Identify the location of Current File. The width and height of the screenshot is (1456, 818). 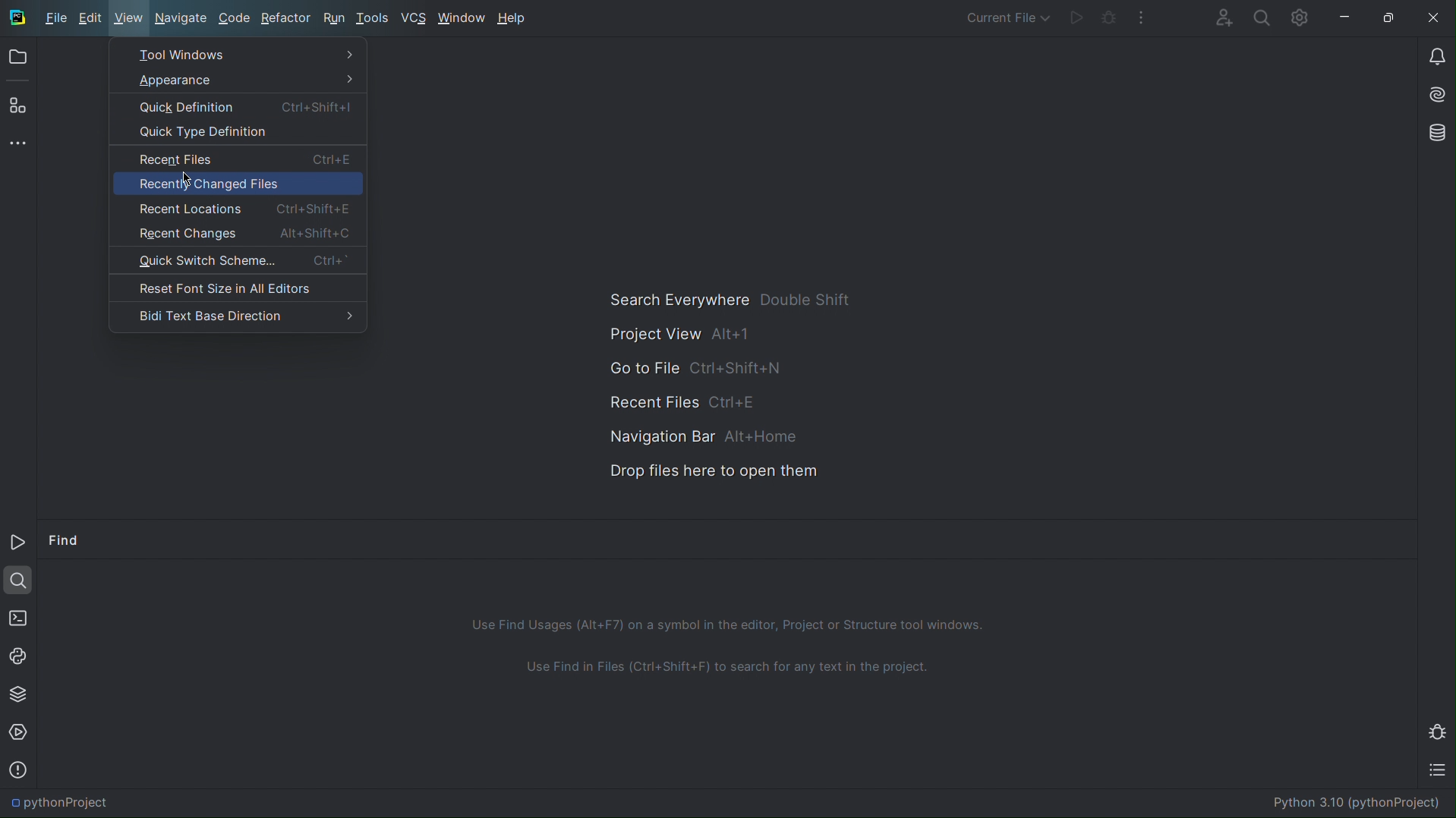
(1010, 14).